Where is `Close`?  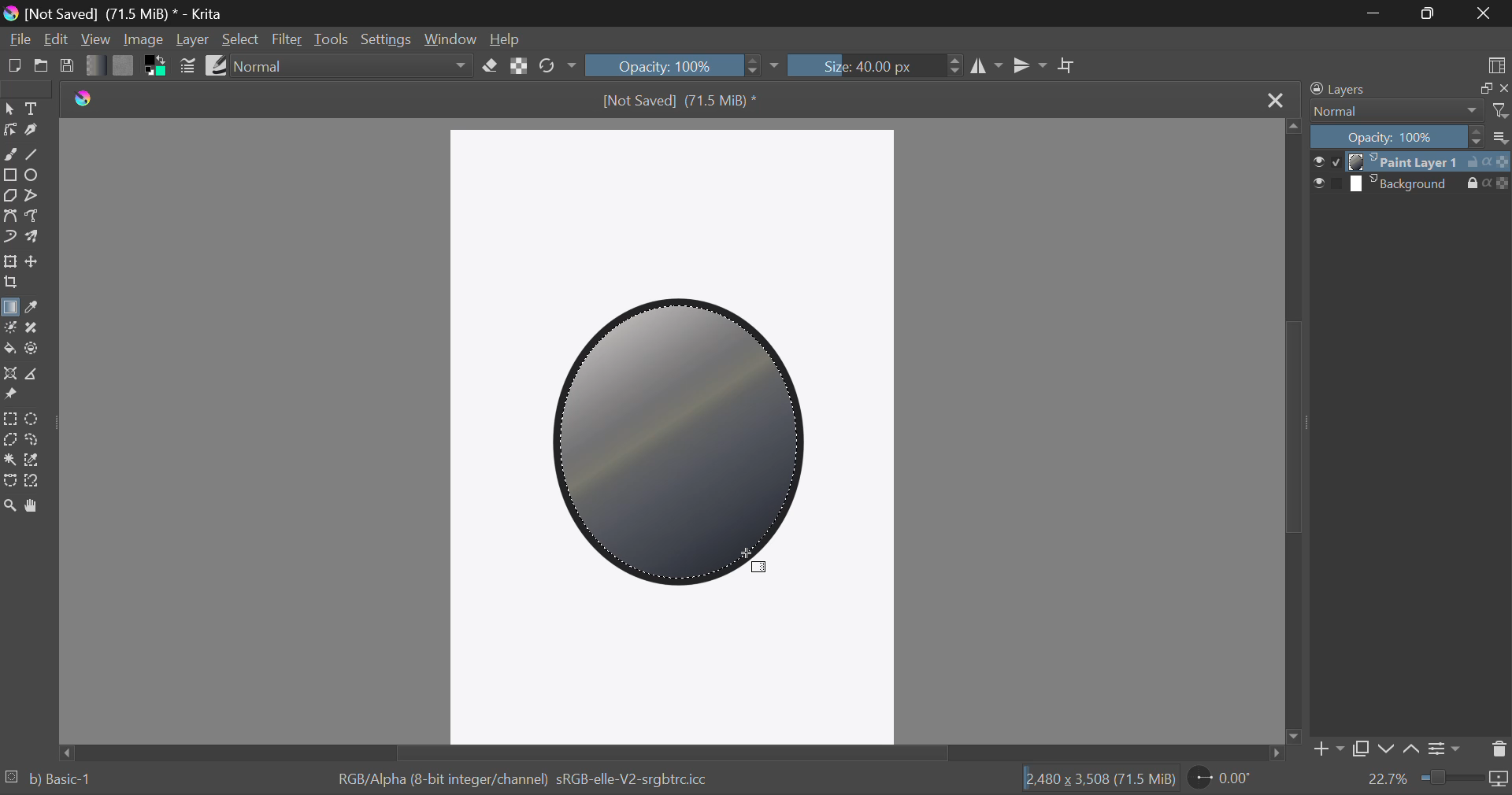 Close is located at coordinates (1276, 102).